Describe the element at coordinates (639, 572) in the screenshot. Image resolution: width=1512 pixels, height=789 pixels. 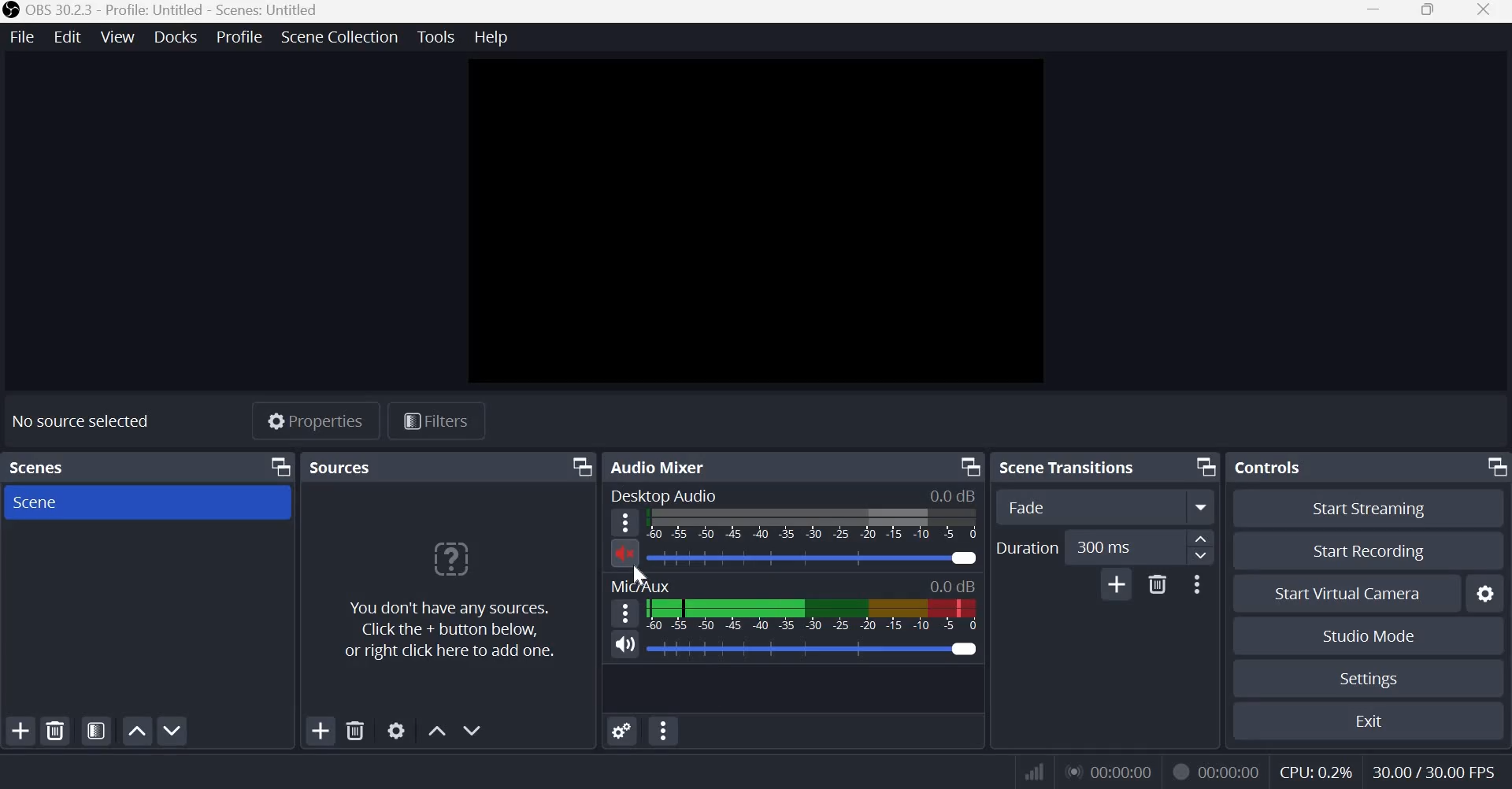
I see `cursor` at that location.